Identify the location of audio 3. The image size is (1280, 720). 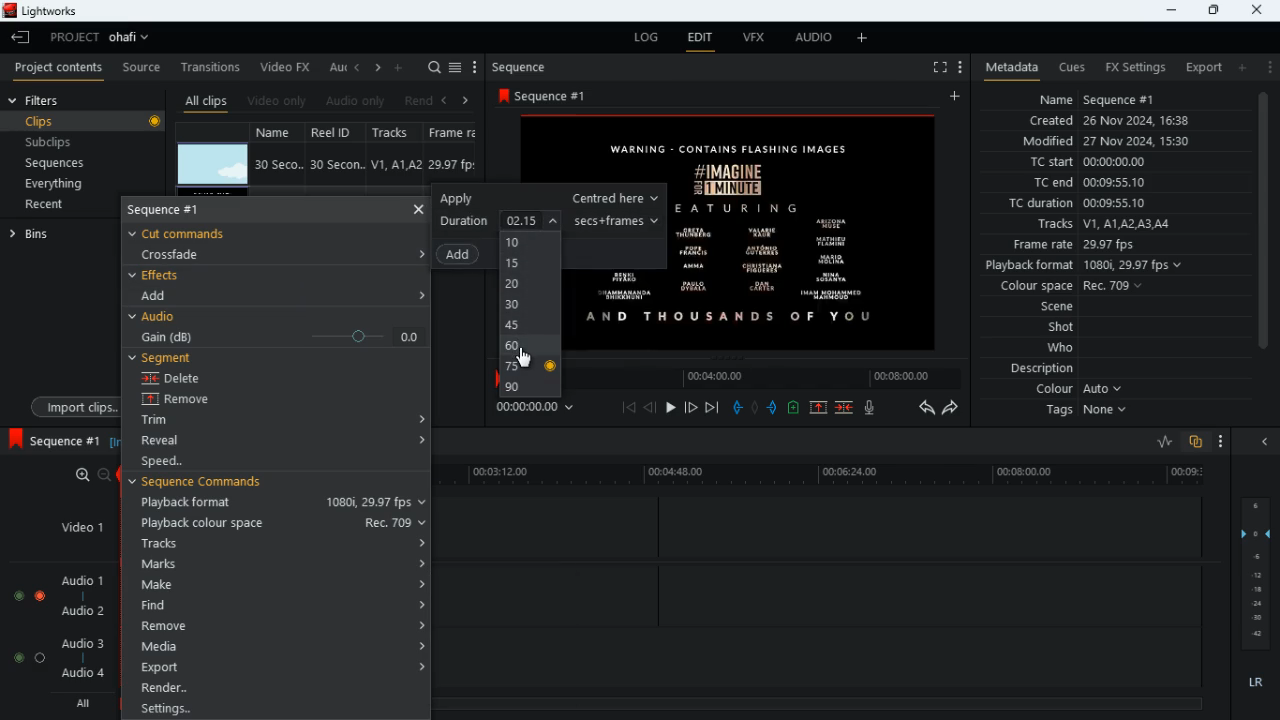
(78, 642).